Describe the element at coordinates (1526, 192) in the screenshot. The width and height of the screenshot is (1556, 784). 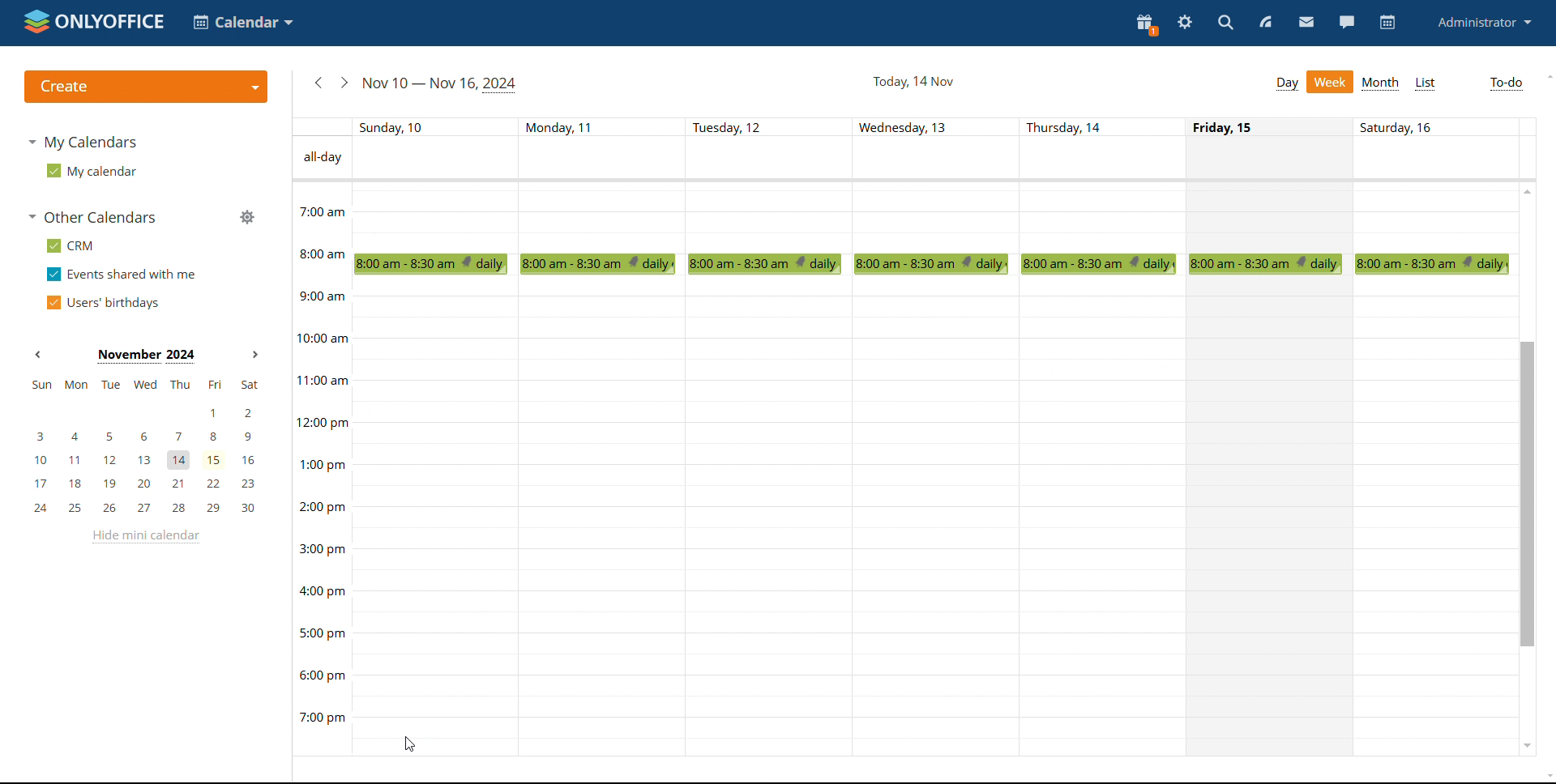
I see `scroll up` at that location.